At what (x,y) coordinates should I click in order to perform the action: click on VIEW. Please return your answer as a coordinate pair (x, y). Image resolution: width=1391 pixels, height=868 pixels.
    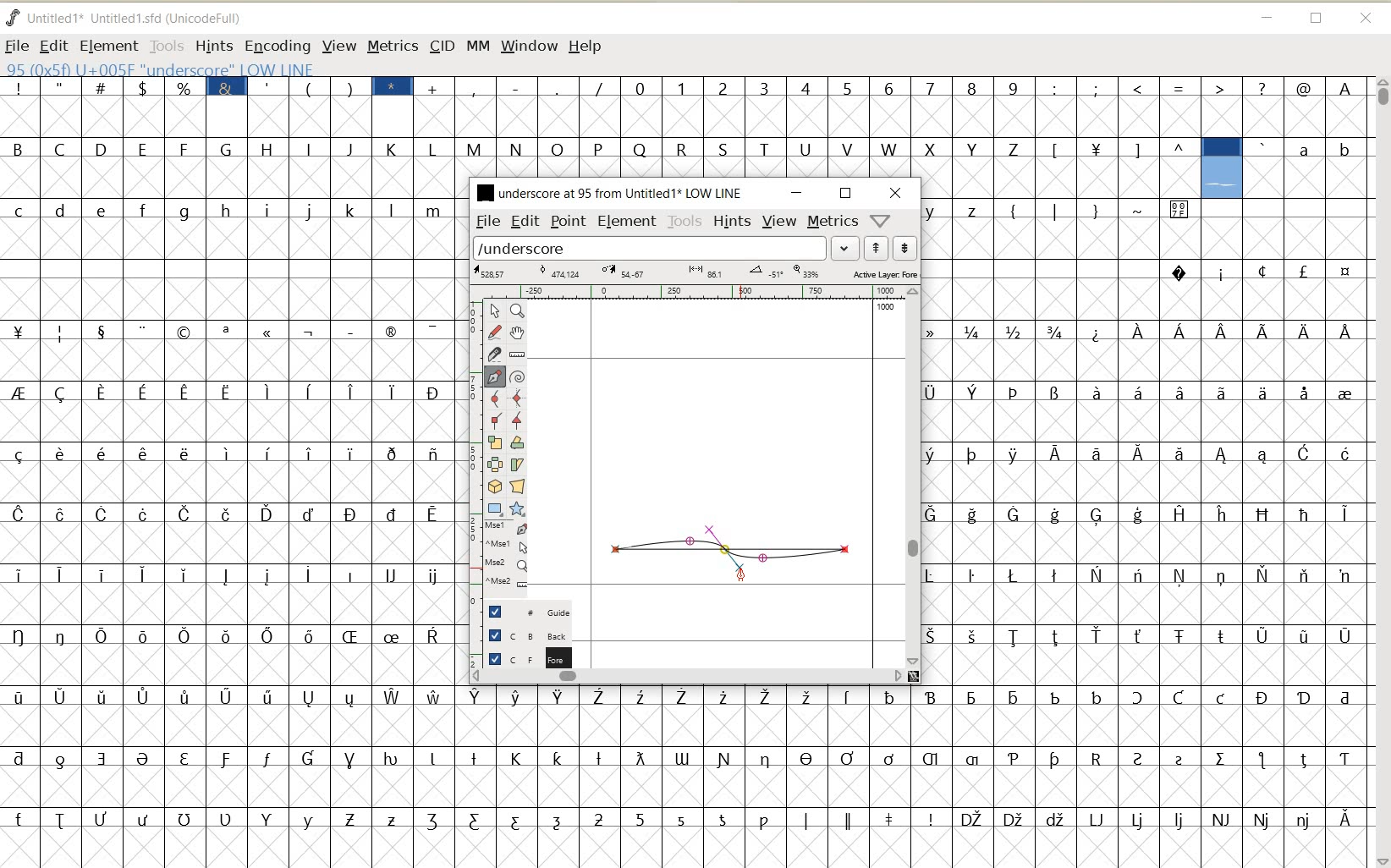
    Looking at the image, I should click on (336, 45).